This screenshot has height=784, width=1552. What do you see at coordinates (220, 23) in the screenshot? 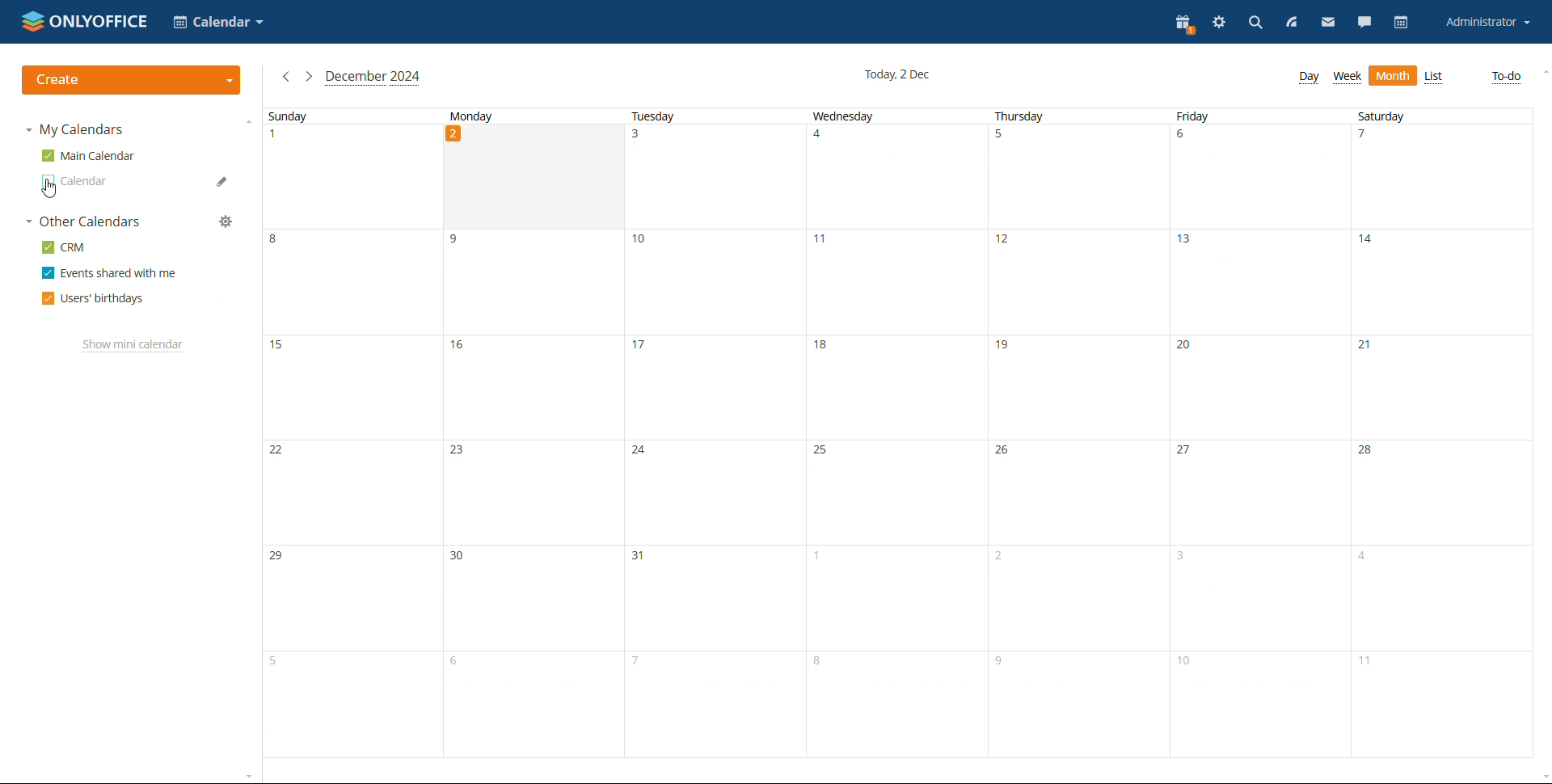
I see `select application` at bounding box center [220, 23].